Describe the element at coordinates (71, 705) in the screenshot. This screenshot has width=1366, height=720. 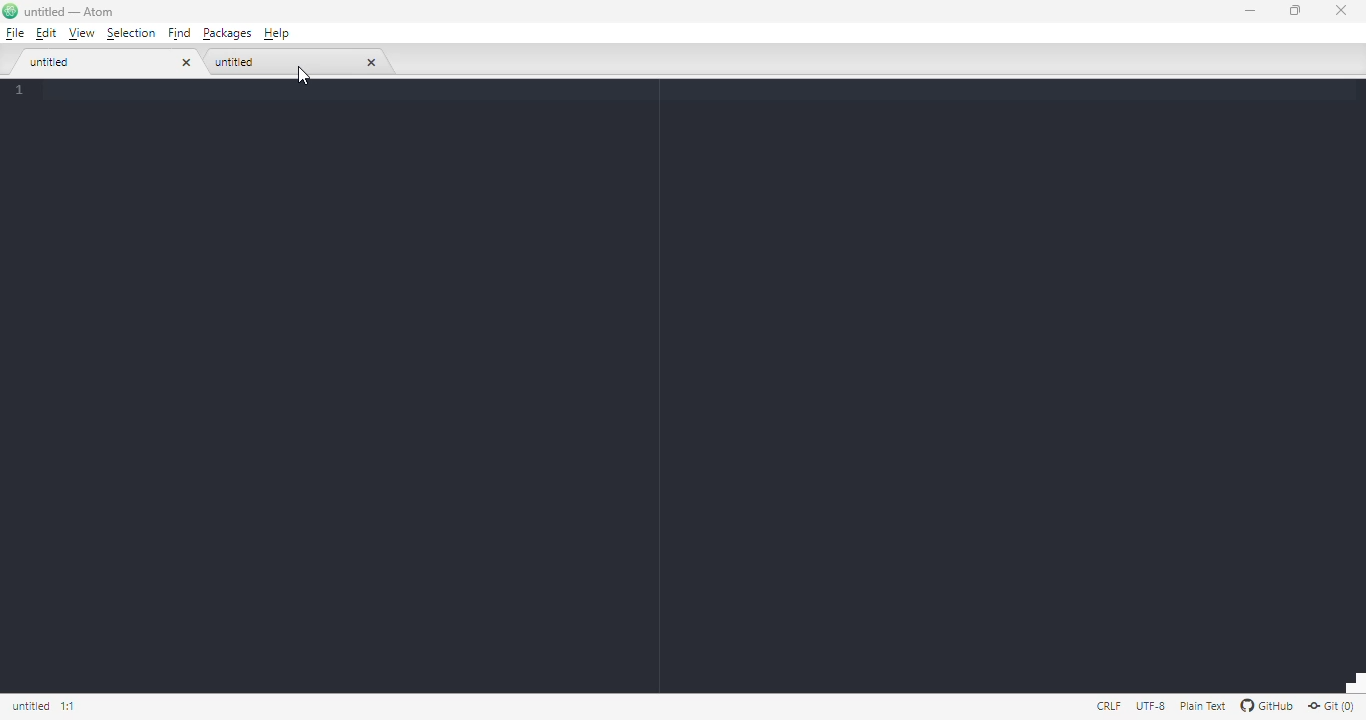
I see `1:1` at that location.